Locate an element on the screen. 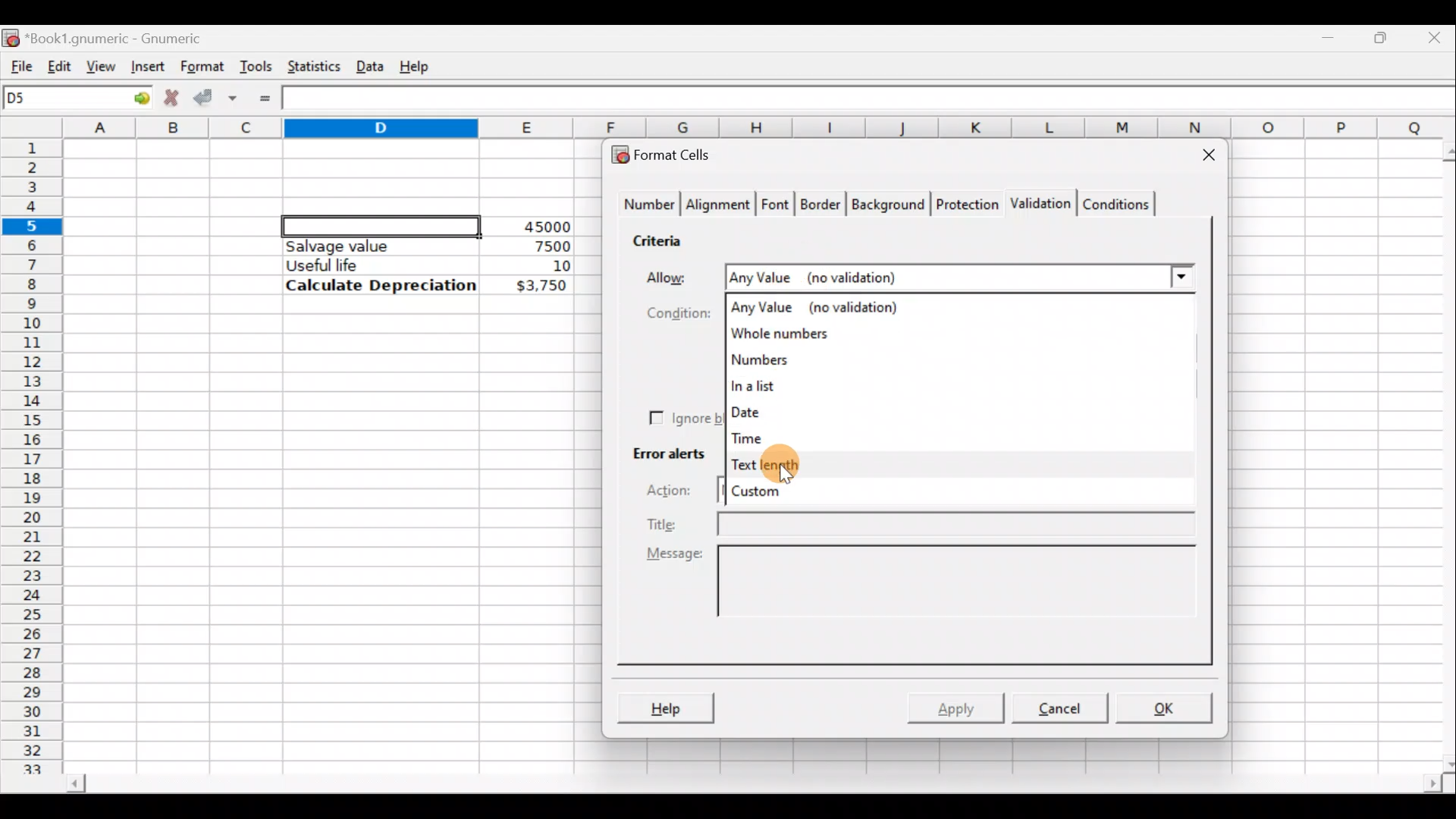 This screenshot has width=1456, height=819. Columns is located at coordinates (761, 128).